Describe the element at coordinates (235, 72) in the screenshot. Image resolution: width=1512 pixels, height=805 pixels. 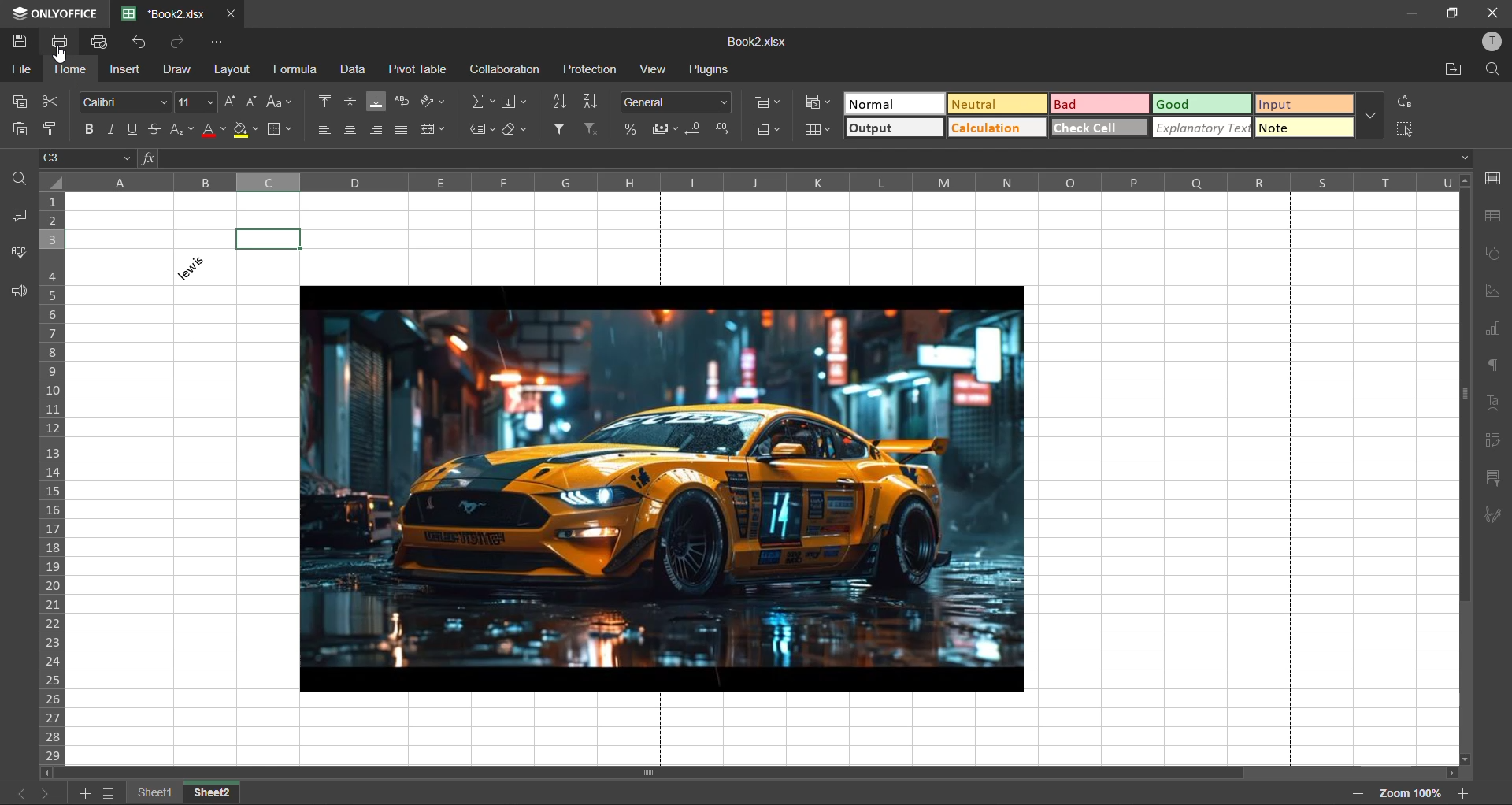
I see `layout` at that location.